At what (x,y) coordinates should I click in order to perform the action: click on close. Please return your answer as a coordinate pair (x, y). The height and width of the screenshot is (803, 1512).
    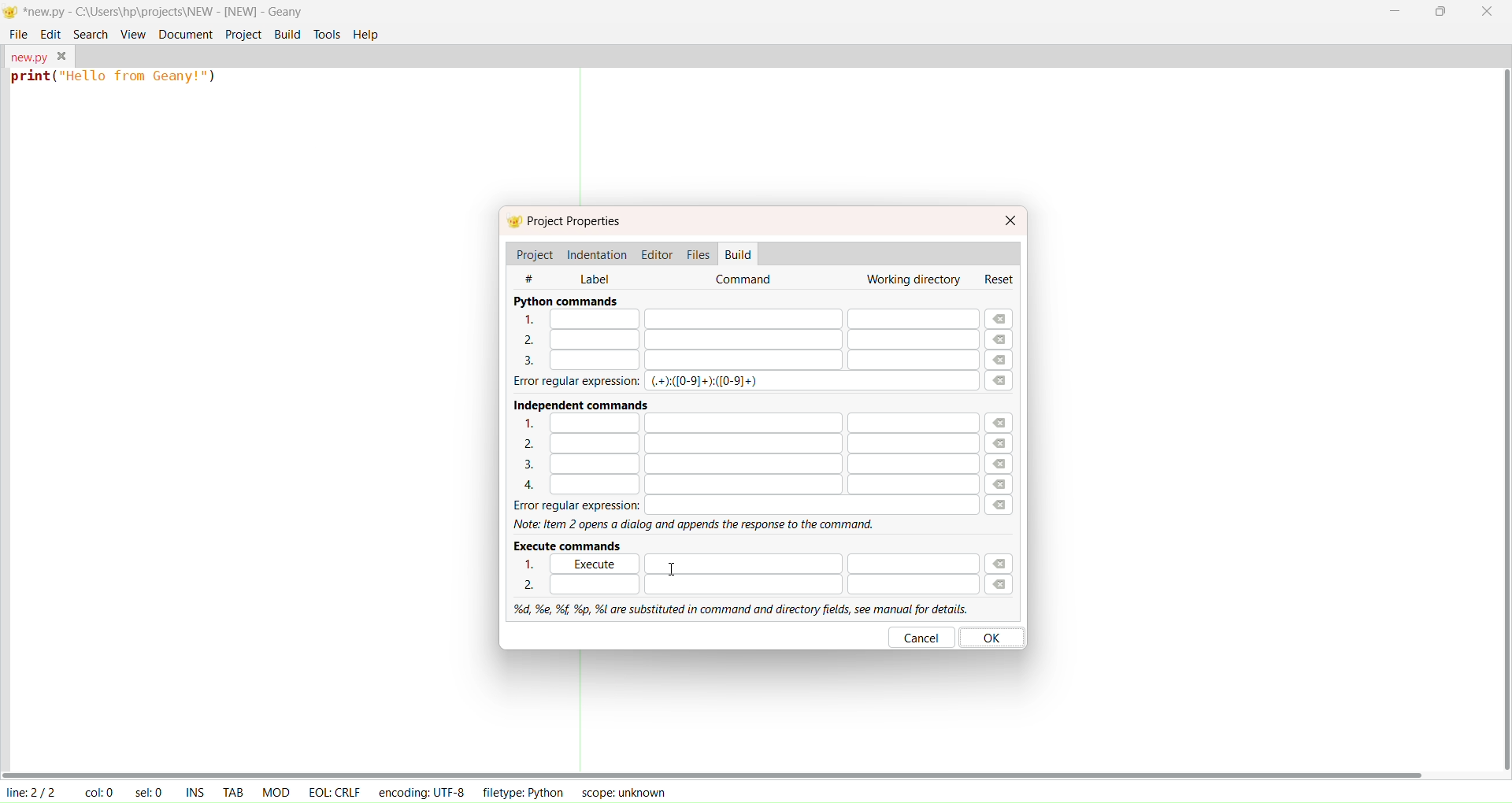
    Looking at the image, I should click on (1488, 13).